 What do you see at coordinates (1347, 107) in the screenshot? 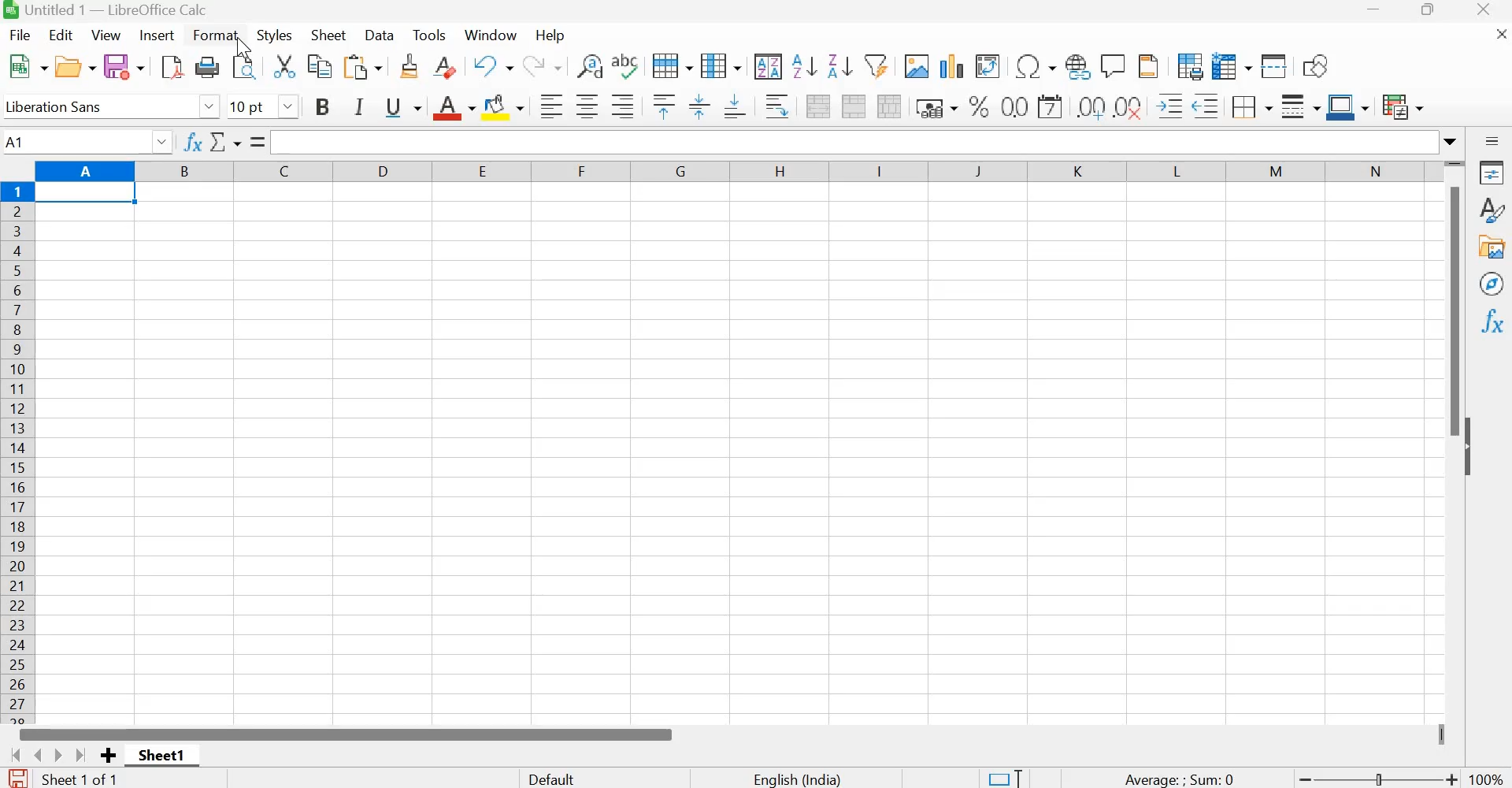
I see `Border color` at bounding box center [1347, 107].